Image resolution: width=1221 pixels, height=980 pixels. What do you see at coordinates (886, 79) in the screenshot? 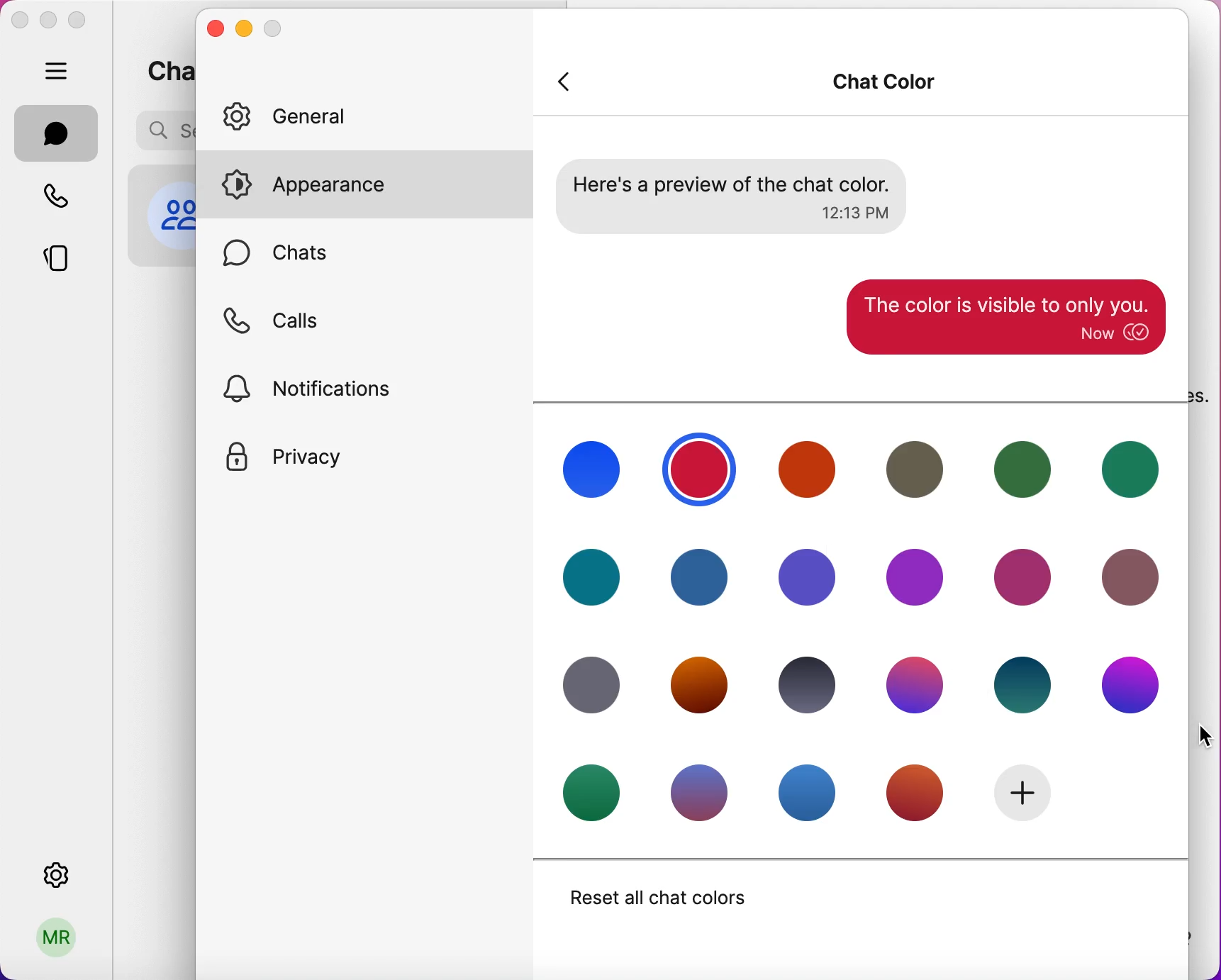
I see `chat color` at bounding box center [886, 79].